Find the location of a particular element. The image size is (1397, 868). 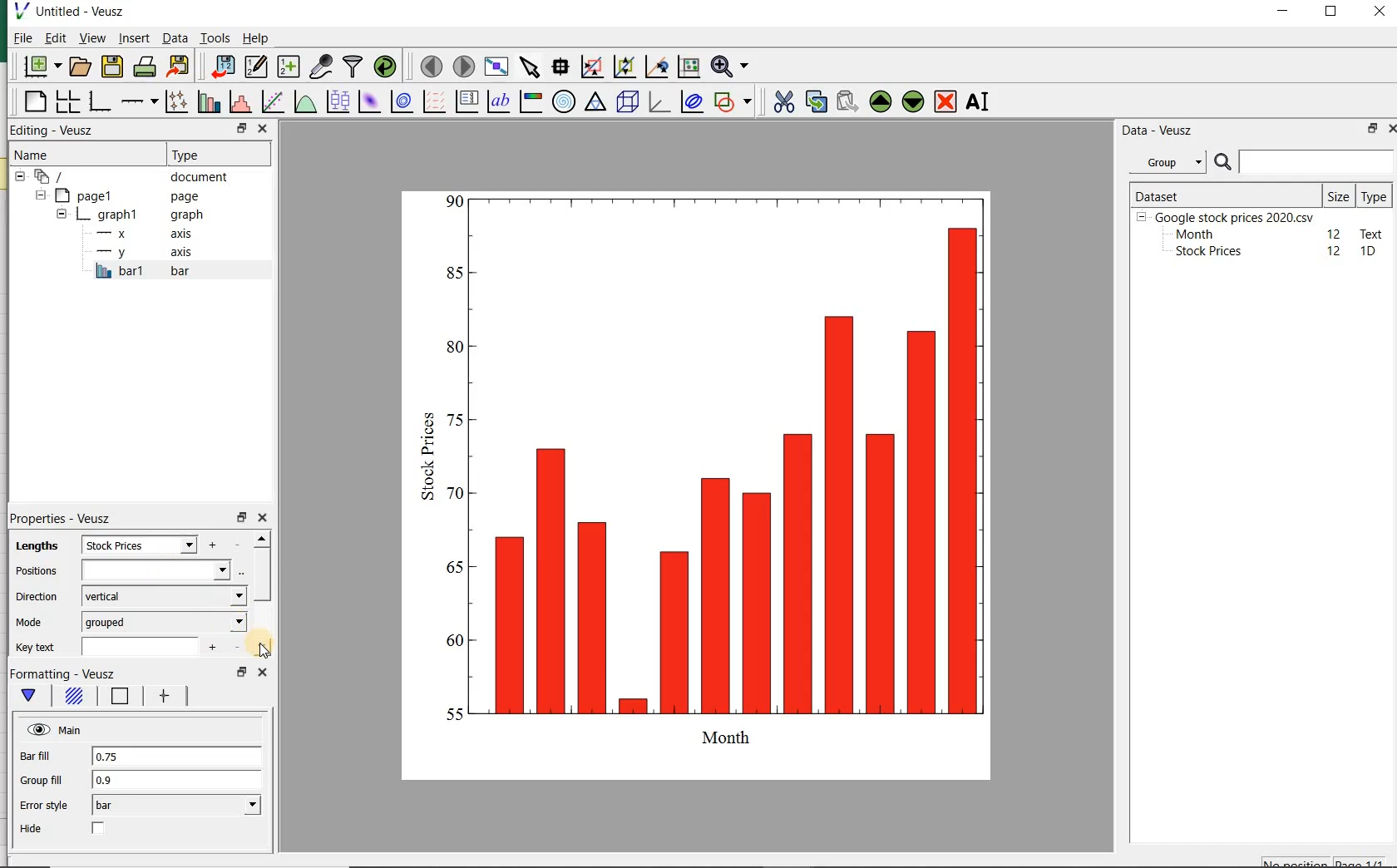

zoom function menus is located at coordinates (733, 67).